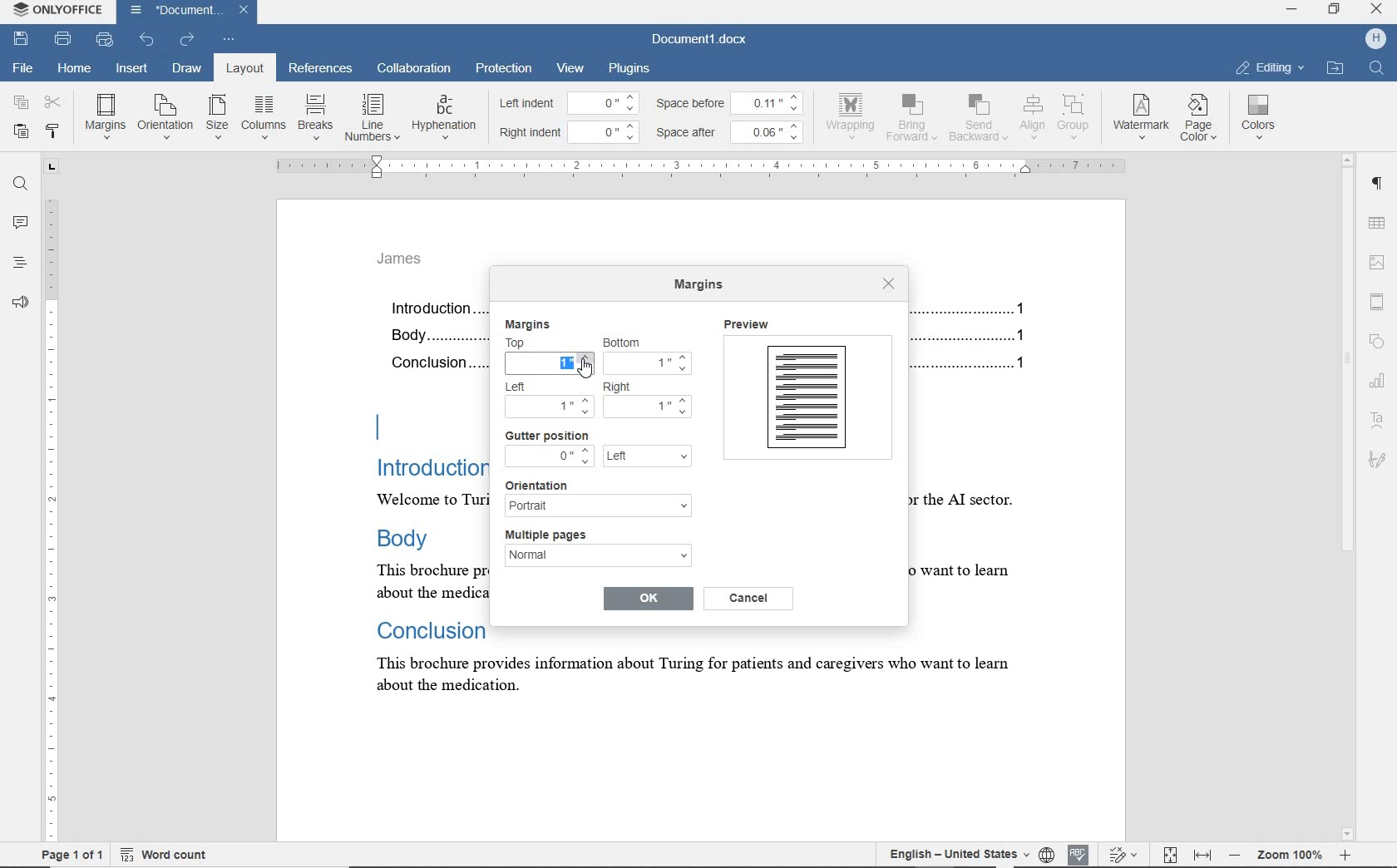 The image size is (1397, 868). I want to click on 0, so click(607, 130).